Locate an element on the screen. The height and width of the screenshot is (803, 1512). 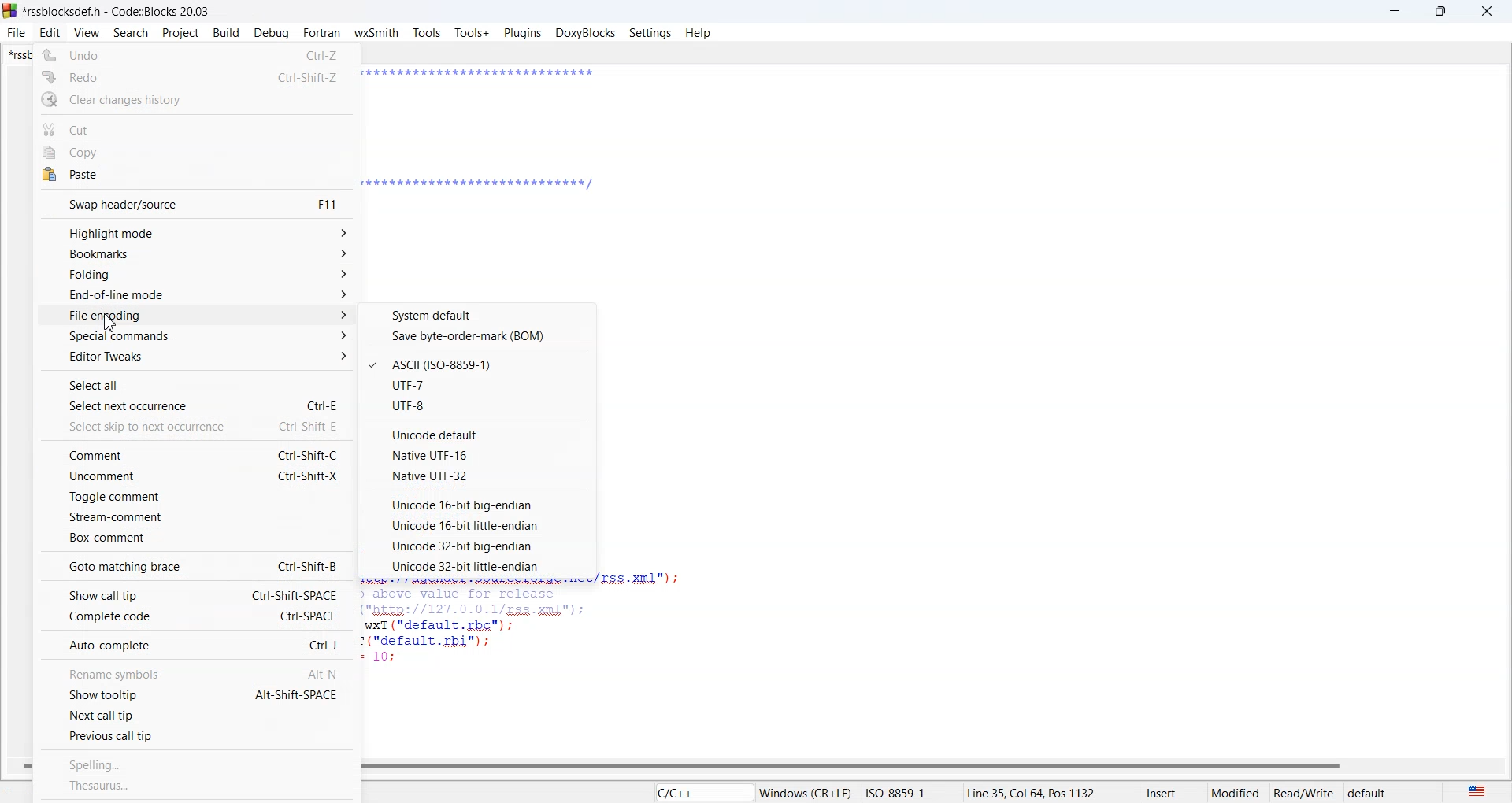
Plugins is located at coordinates (523, 34).